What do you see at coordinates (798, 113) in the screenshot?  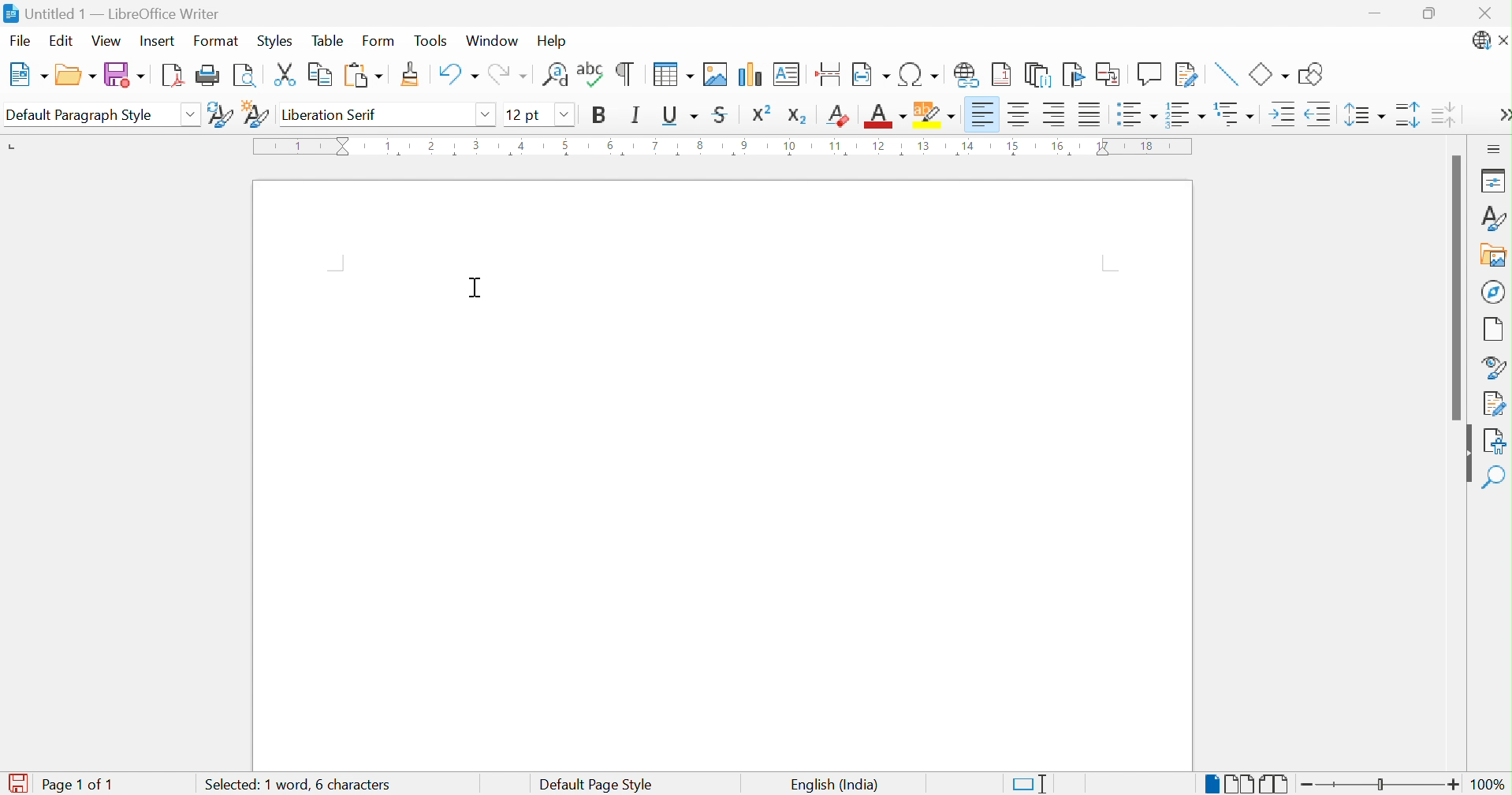 I see `Subscript` at bounding box center [798, 113].